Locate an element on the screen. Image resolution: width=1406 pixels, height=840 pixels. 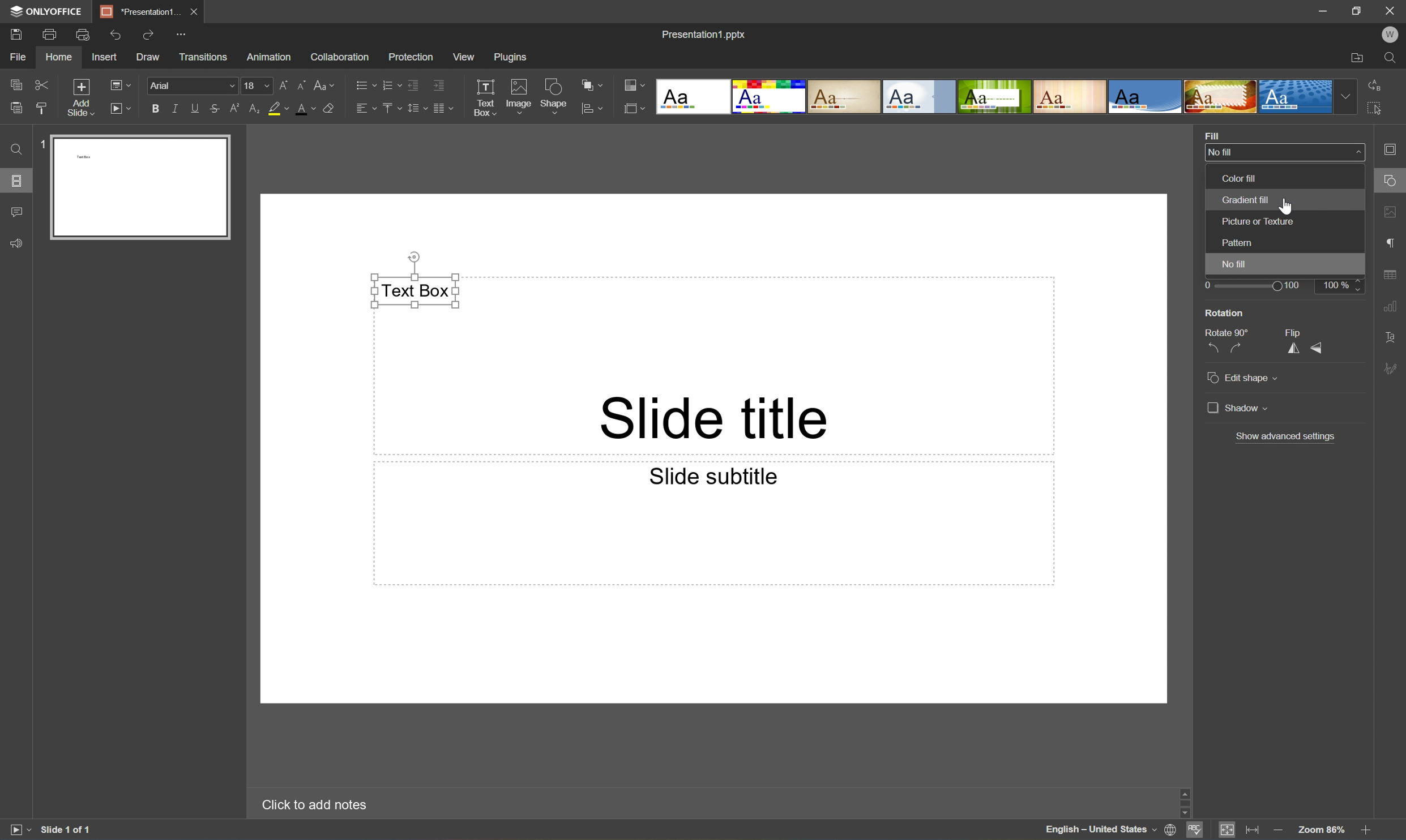
Flip is located at coordinates (1294, 332).